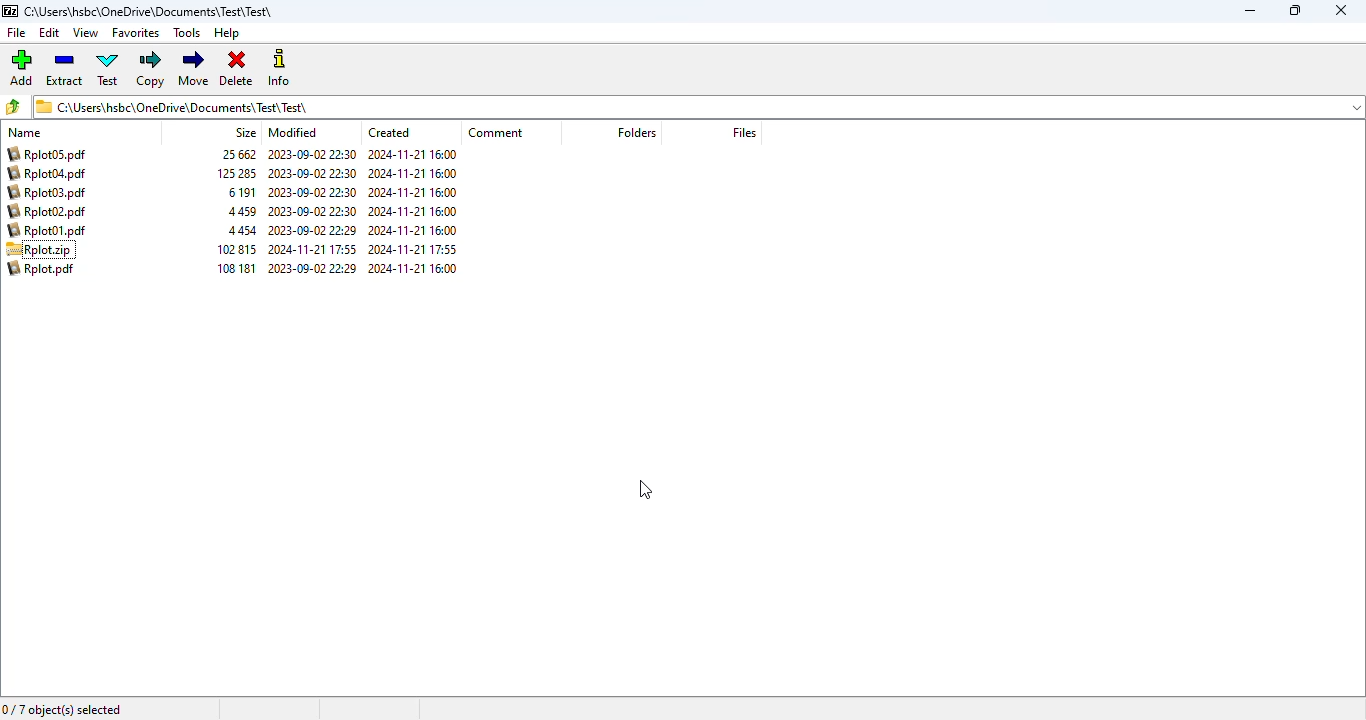 This screenshot has height=720, width=1366. What do you see at coordinates (312, 230) in the screenshot?
I see `2023-09-02 22:29` at bounding box center [312, 230].